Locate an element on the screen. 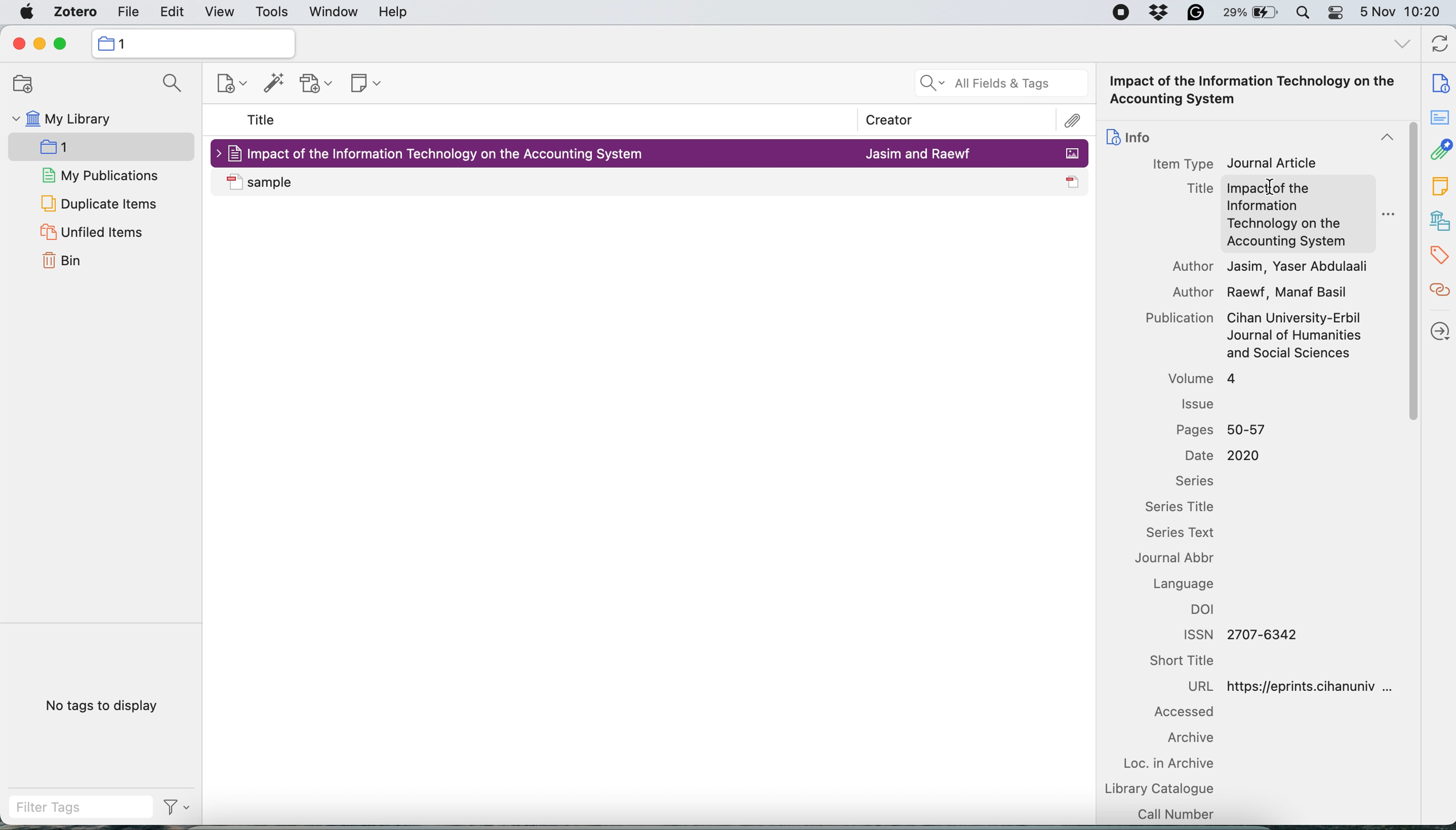  note is located at coordinates (1439, 186).